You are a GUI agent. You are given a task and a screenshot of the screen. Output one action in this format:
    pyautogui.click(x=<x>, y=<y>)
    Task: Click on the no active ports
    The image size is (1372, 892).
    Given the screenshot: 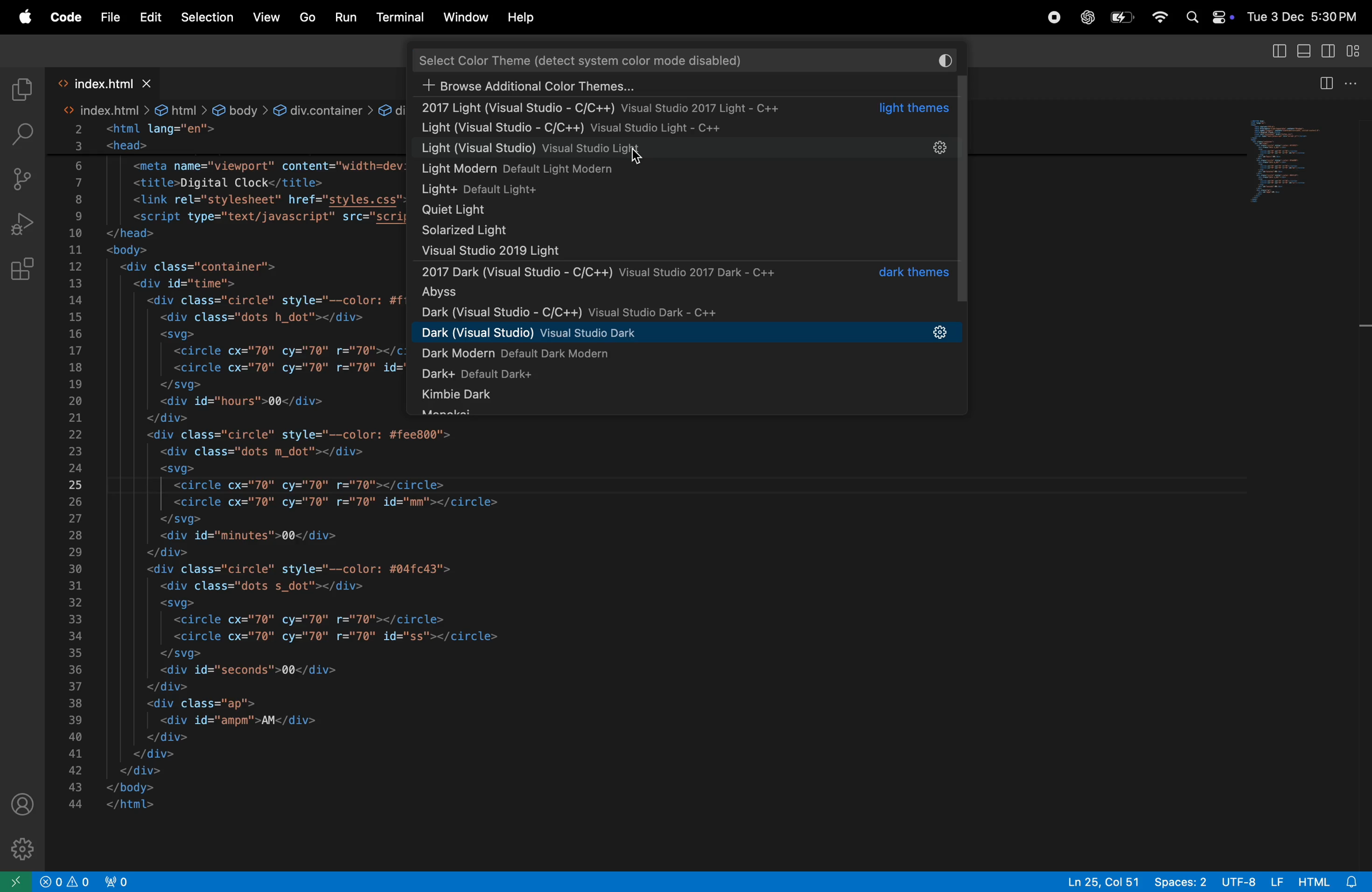 What is the action you would take?
    pyautogui.click(x=114, y=881)
    